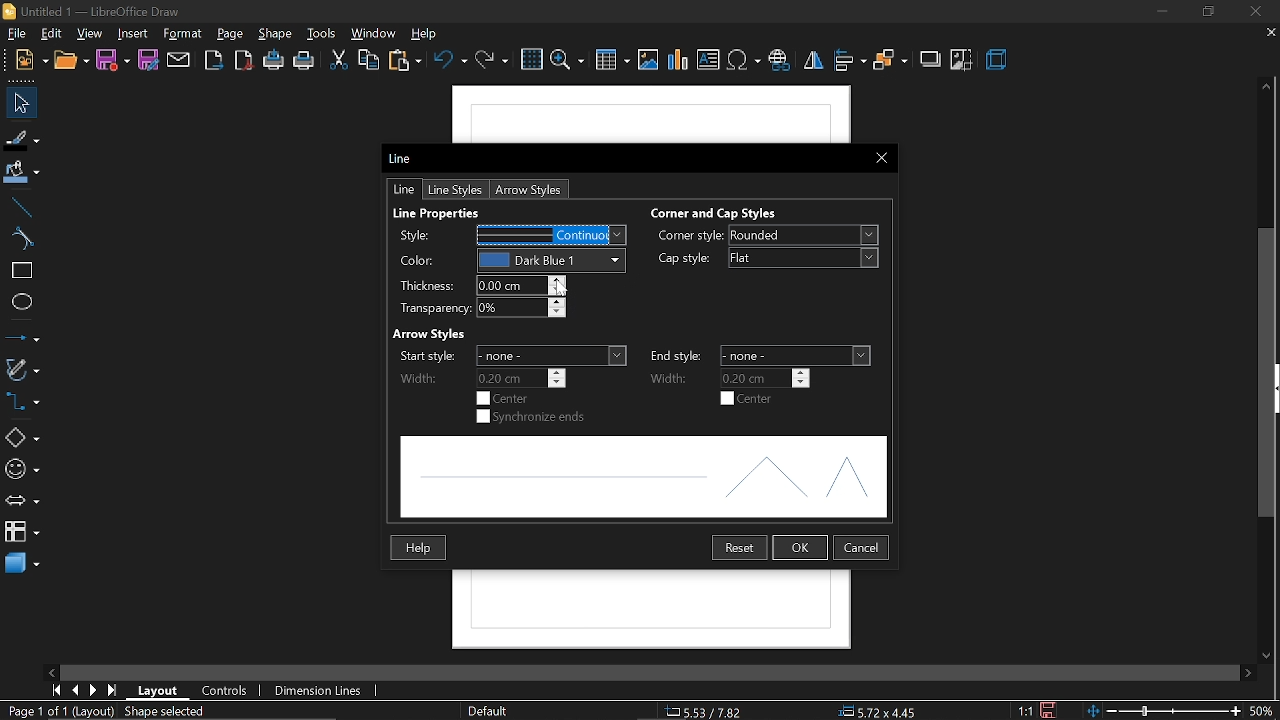  What do you see at coordinates (533, 418) in the screenshot?
I see `synchronize` at bounding box center [533, 418].